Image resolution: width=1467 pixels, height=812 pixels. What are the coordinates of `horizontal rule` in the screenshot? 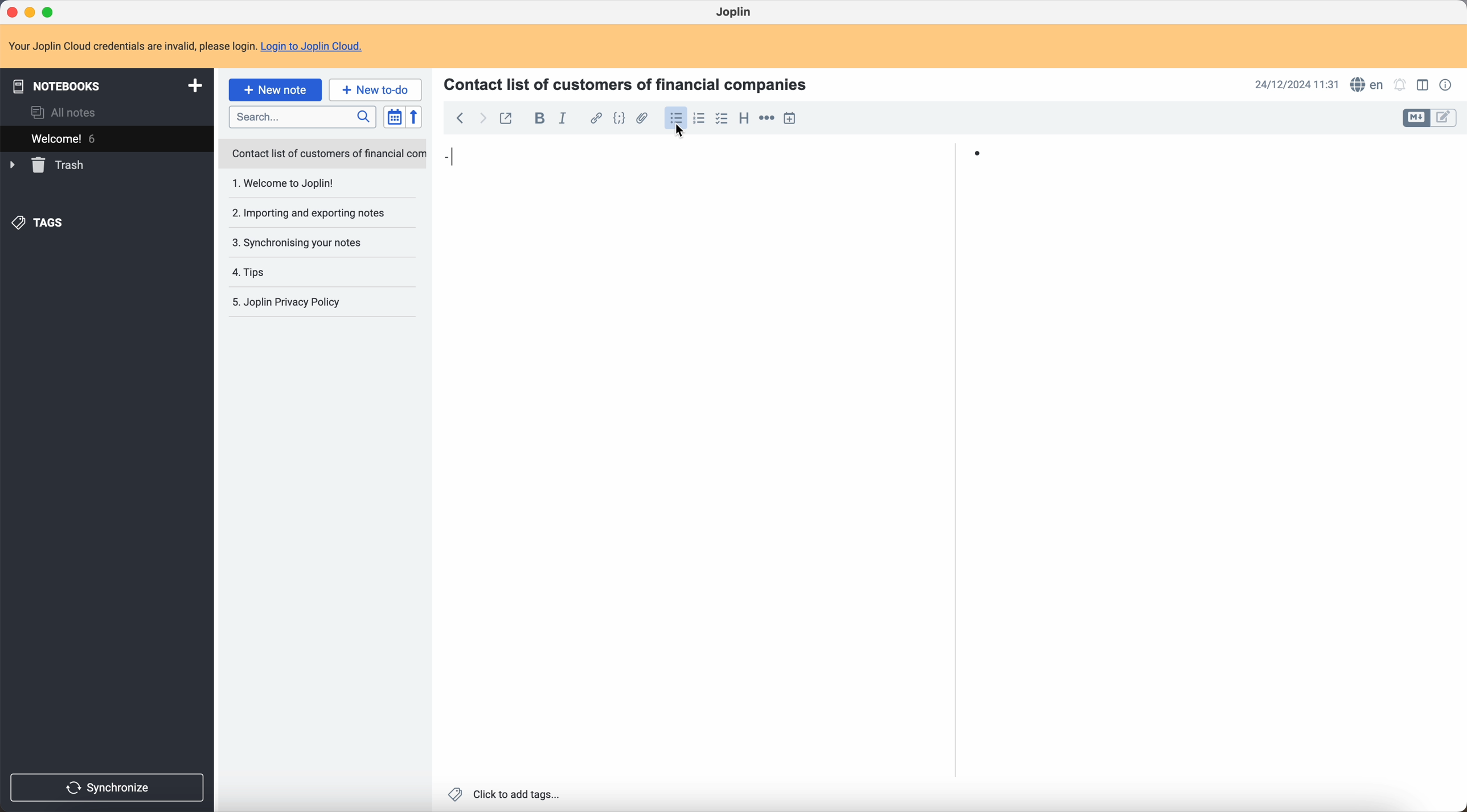 It's located at (767, 118).